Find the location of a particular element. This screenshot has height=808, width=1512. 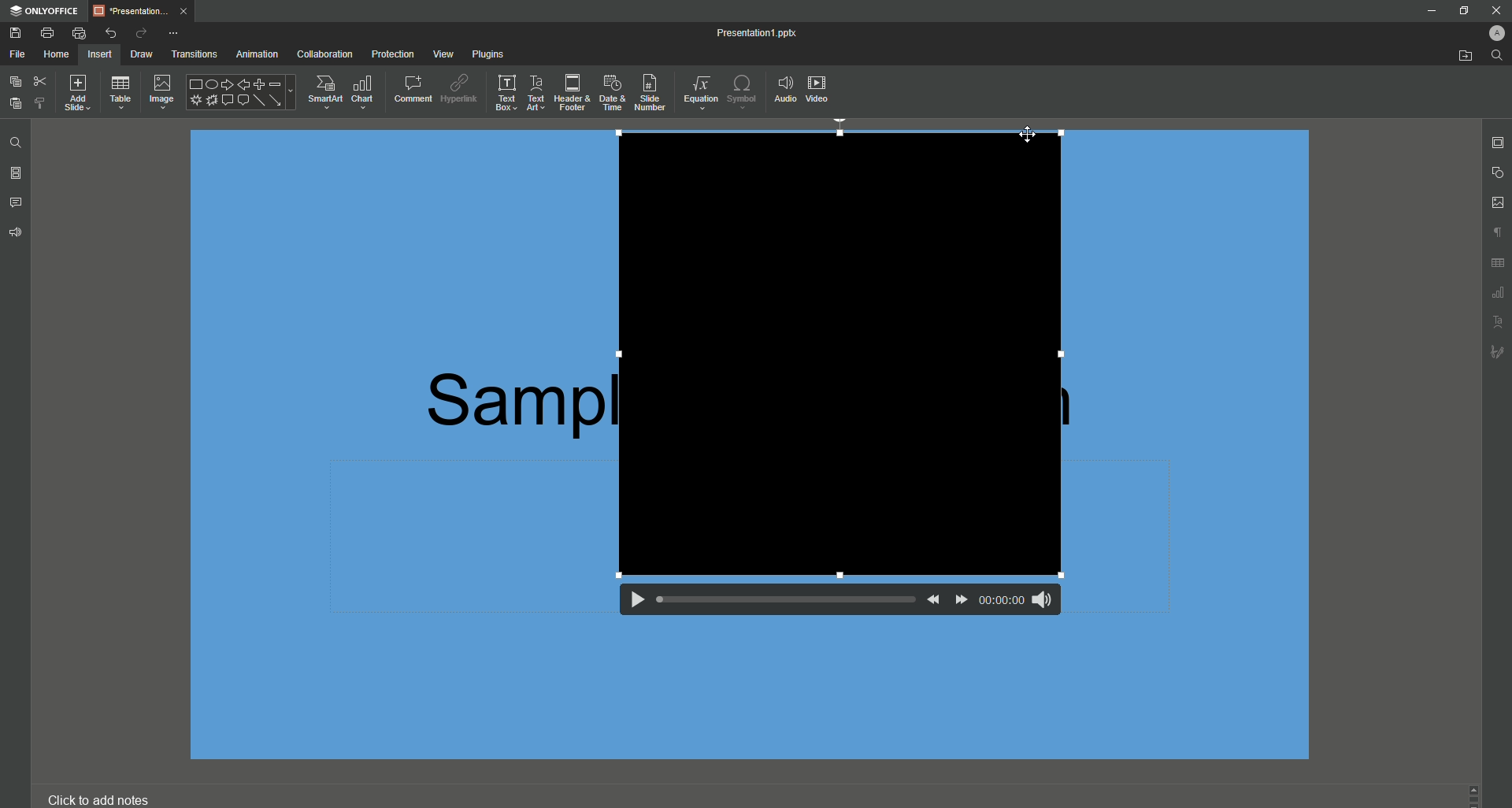

Unnamed Icons is located at coordinates (1494, 295).